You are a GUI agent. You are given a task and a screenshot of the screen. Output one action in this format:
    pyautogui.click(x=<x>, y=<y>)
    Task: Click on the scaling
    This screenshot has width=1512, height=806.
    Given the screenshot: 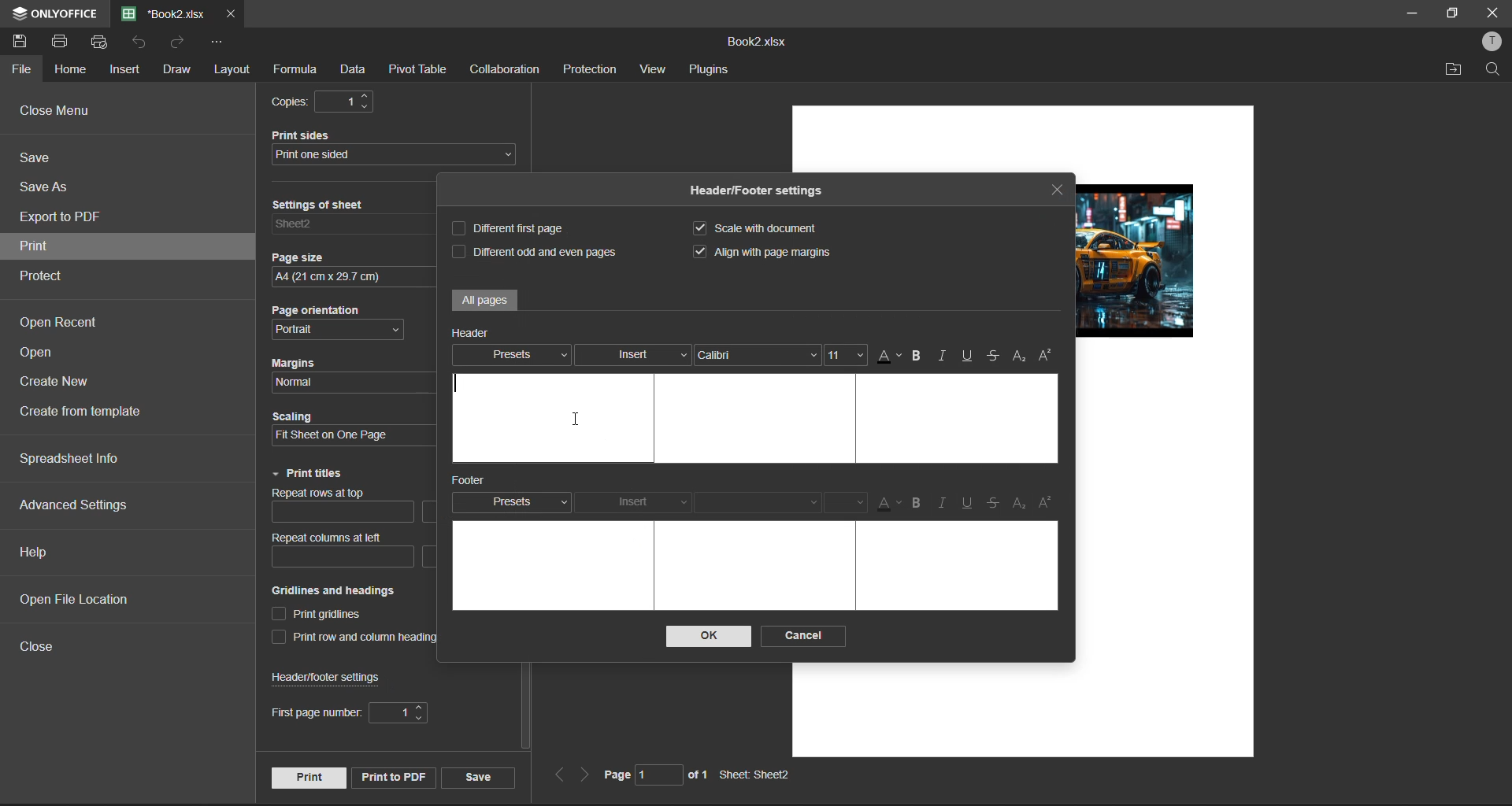 What is the action you would take?
    pyautogui.click(x=342, y=430)
    